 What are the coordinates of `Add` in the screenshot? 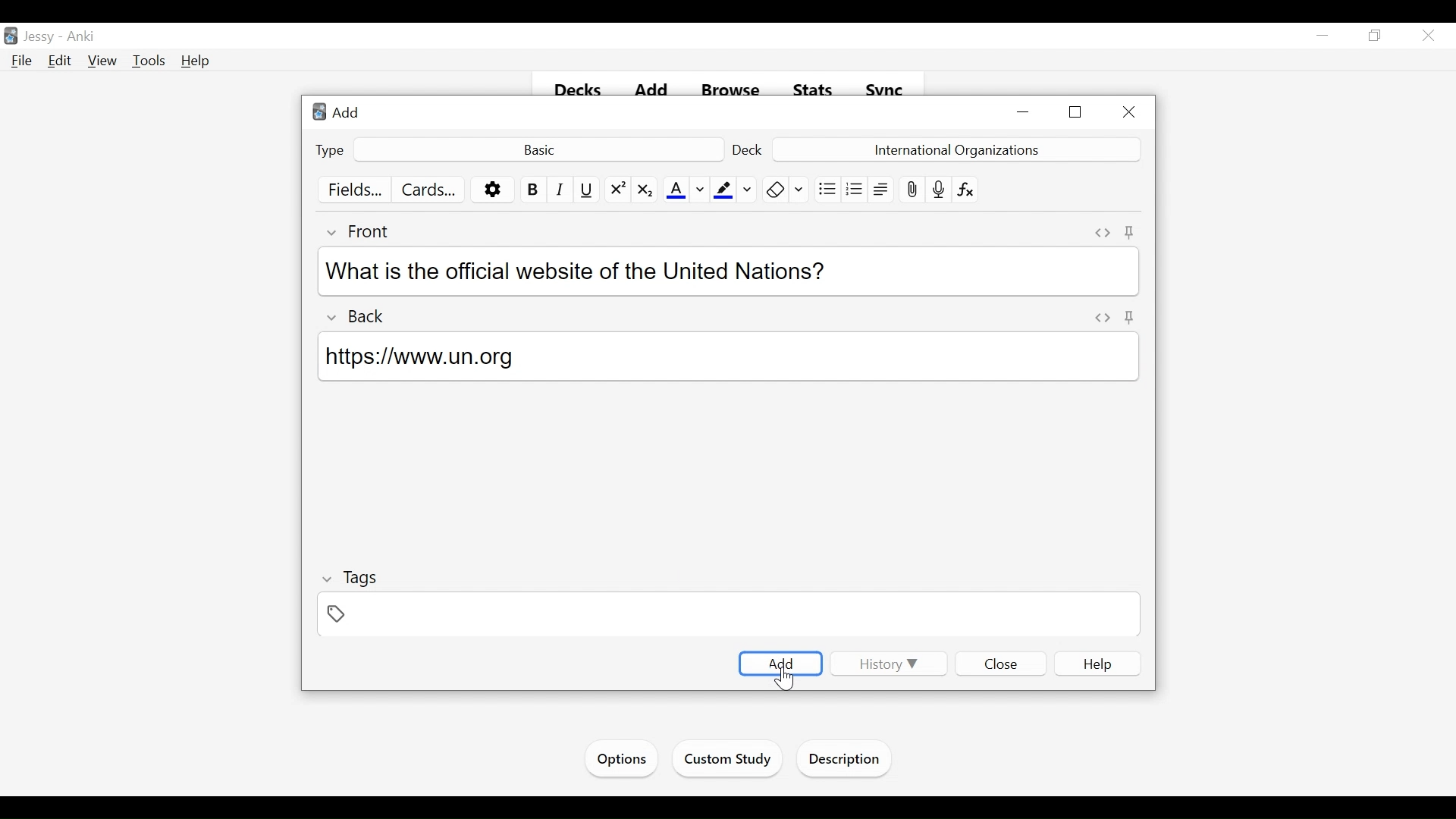 It's located at (347, 113).